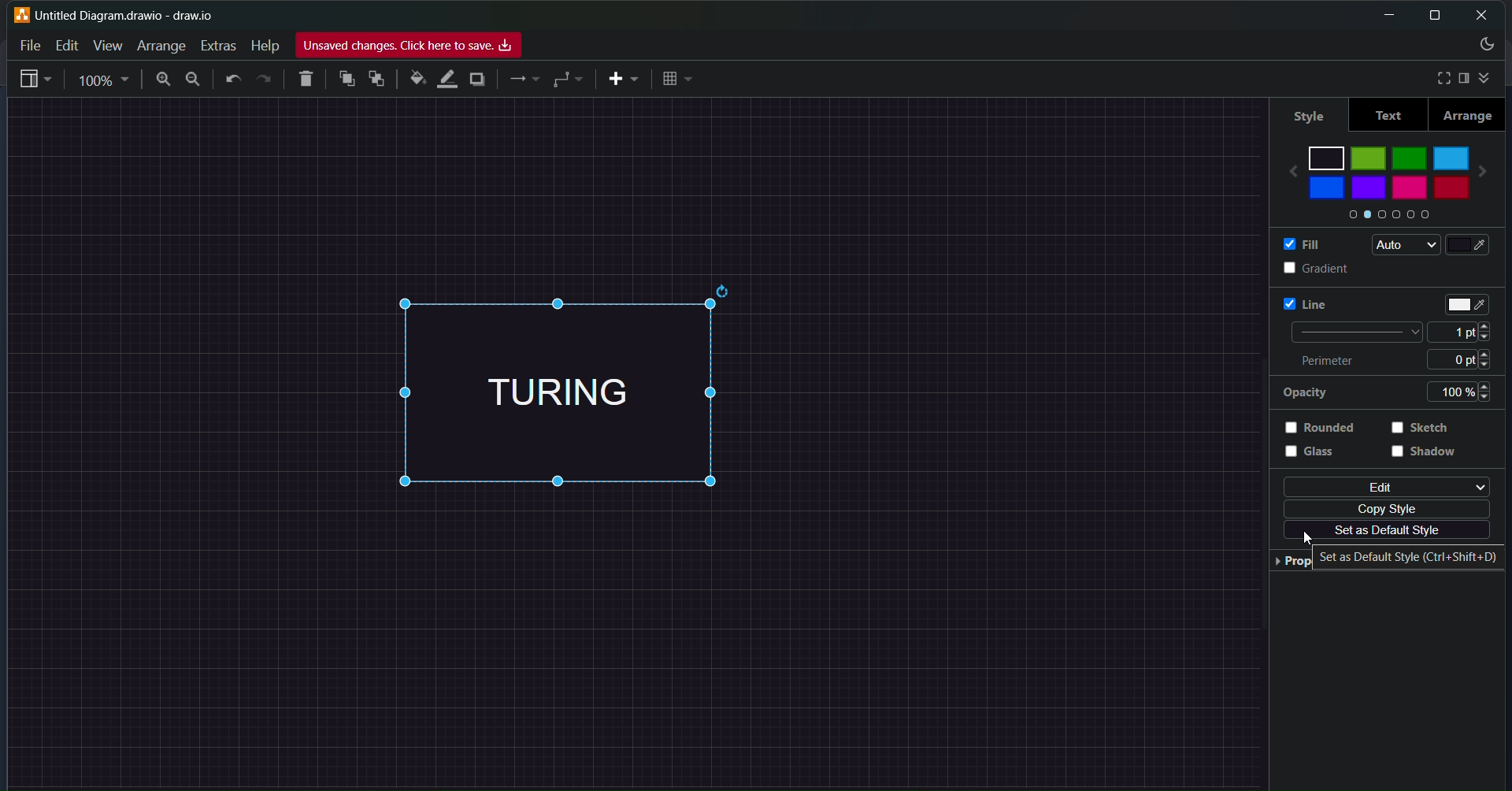 This screenshot has width=1512, height=791. I want to click on fullscreen, so click(1437, 77).